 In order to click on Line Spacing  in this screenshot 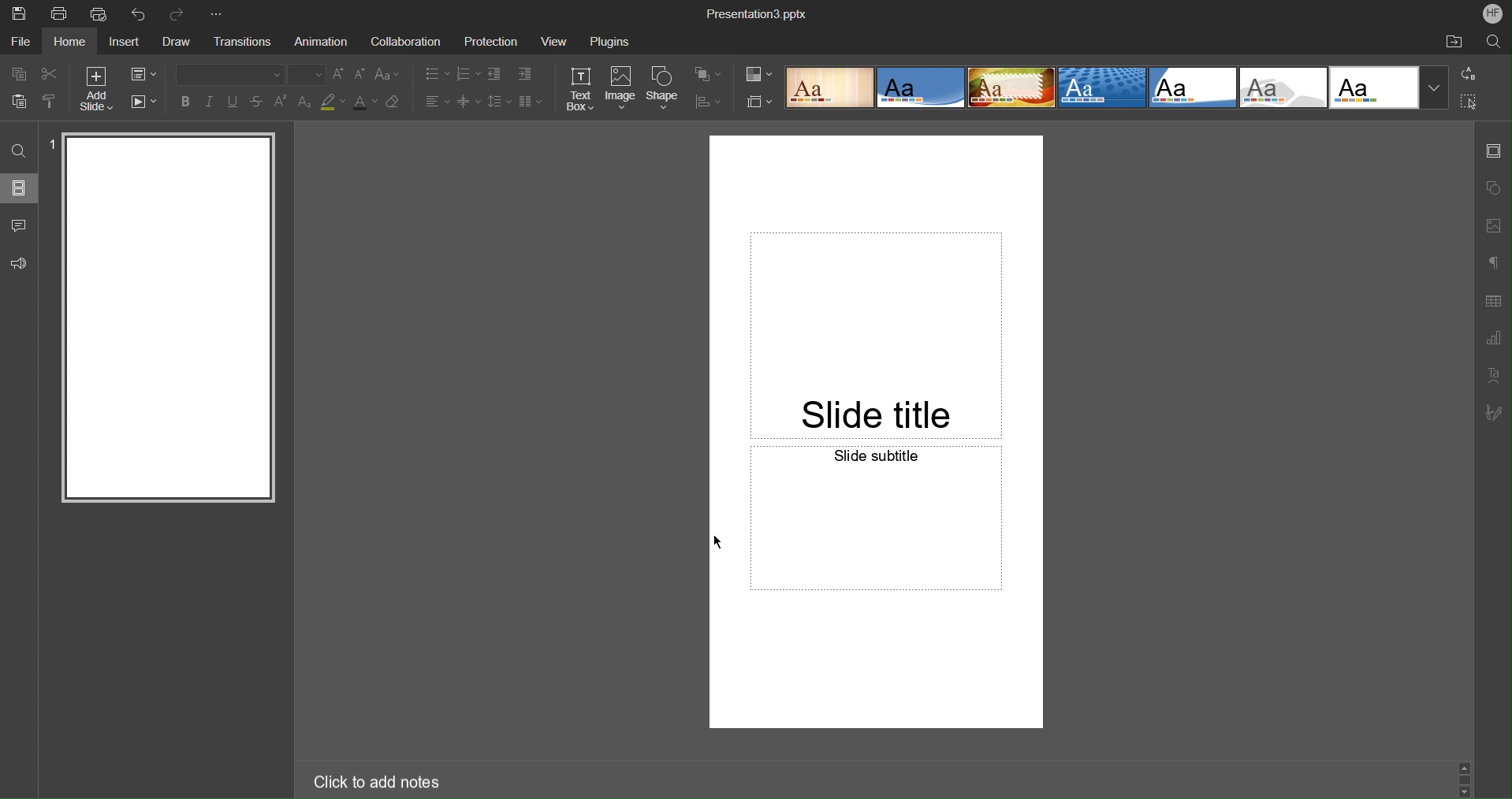, I will do `click(497, 102)`.